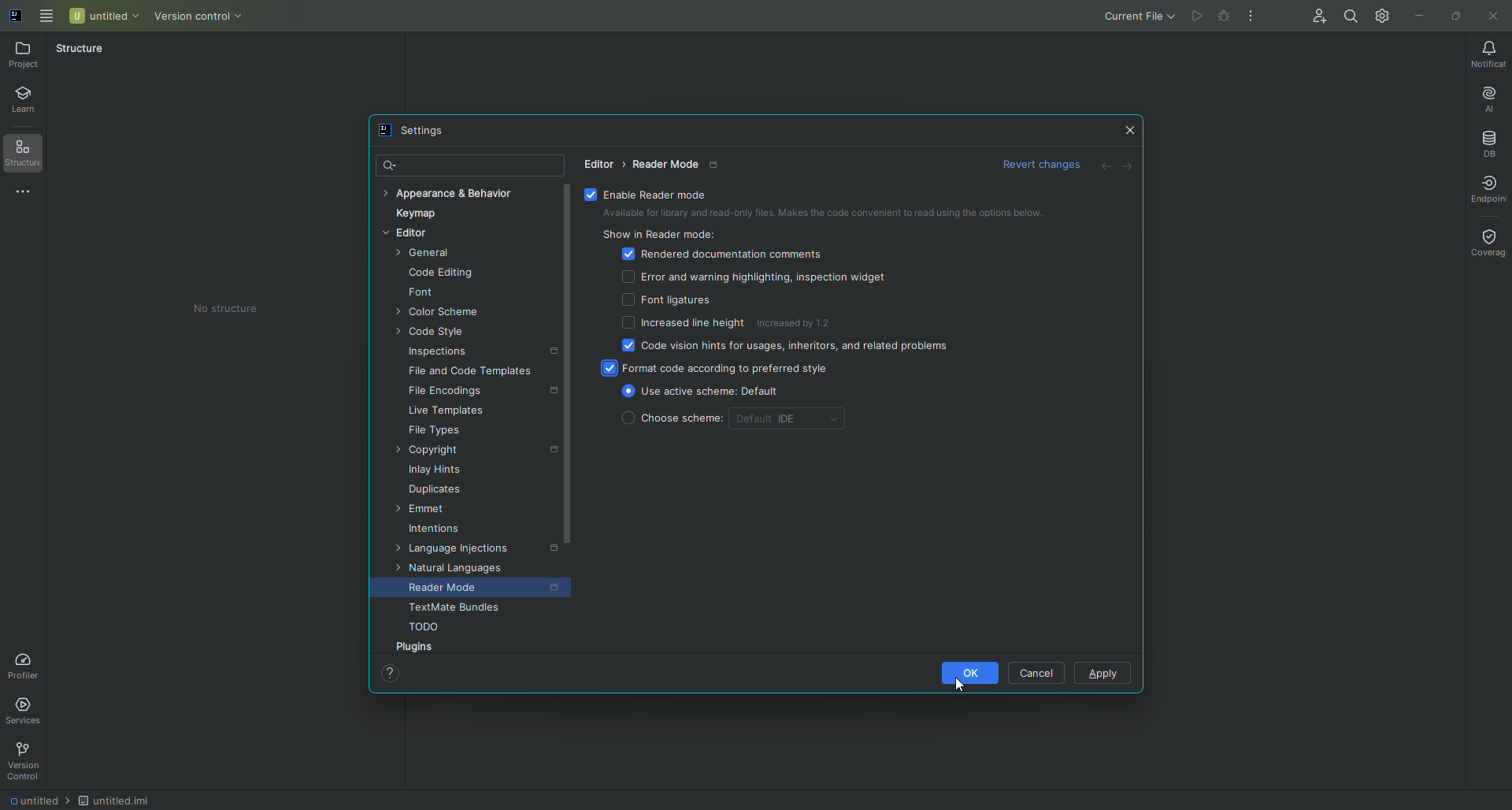 This screenshot has width=1512, height=810. Describe the element at coordinates (800, 321) in the screenshot. I see `Increased by 1.2` at that location.